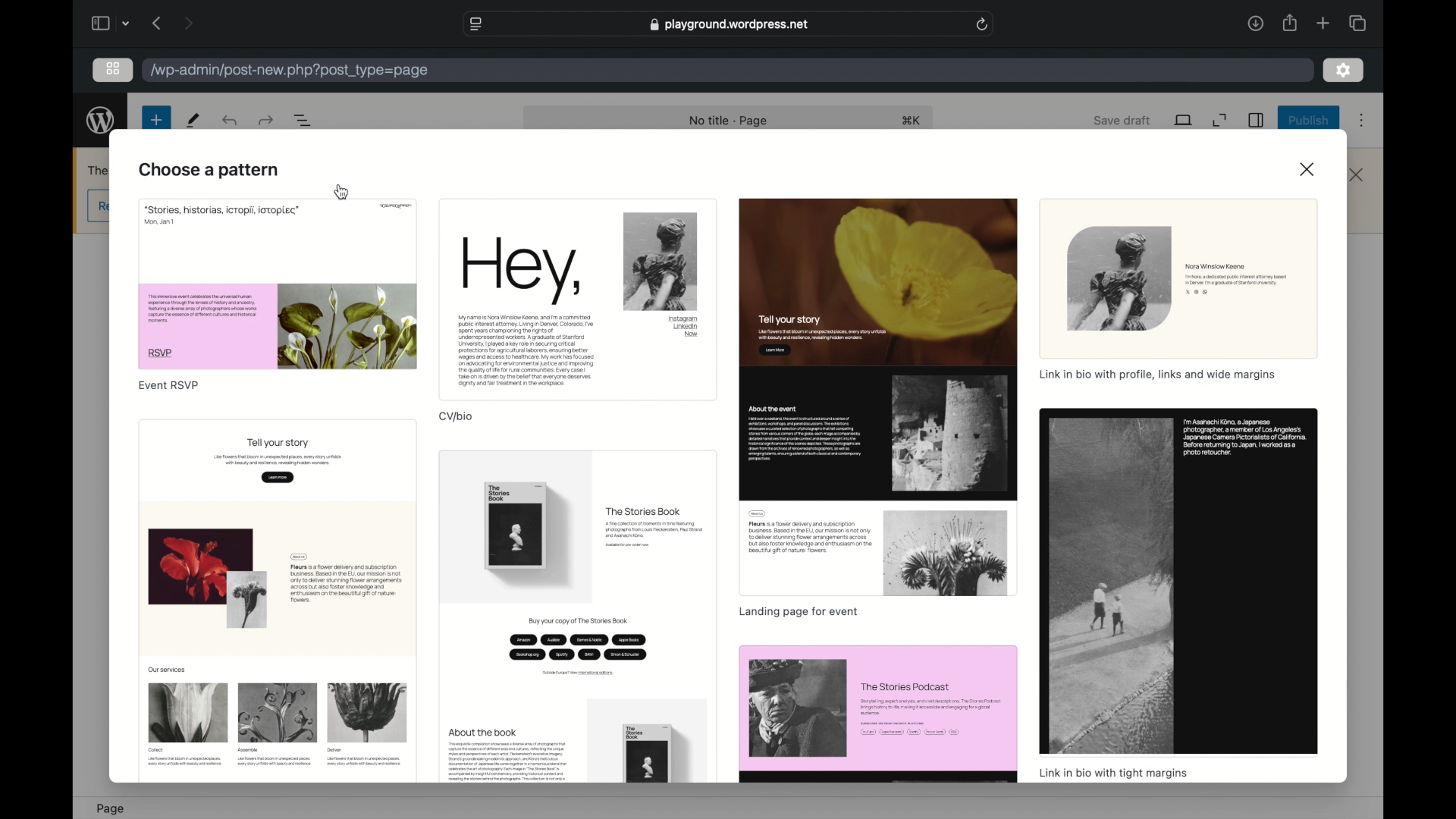  Describe the element at coordinates (579, 300) in the screenshot. I see `preview` at that location.